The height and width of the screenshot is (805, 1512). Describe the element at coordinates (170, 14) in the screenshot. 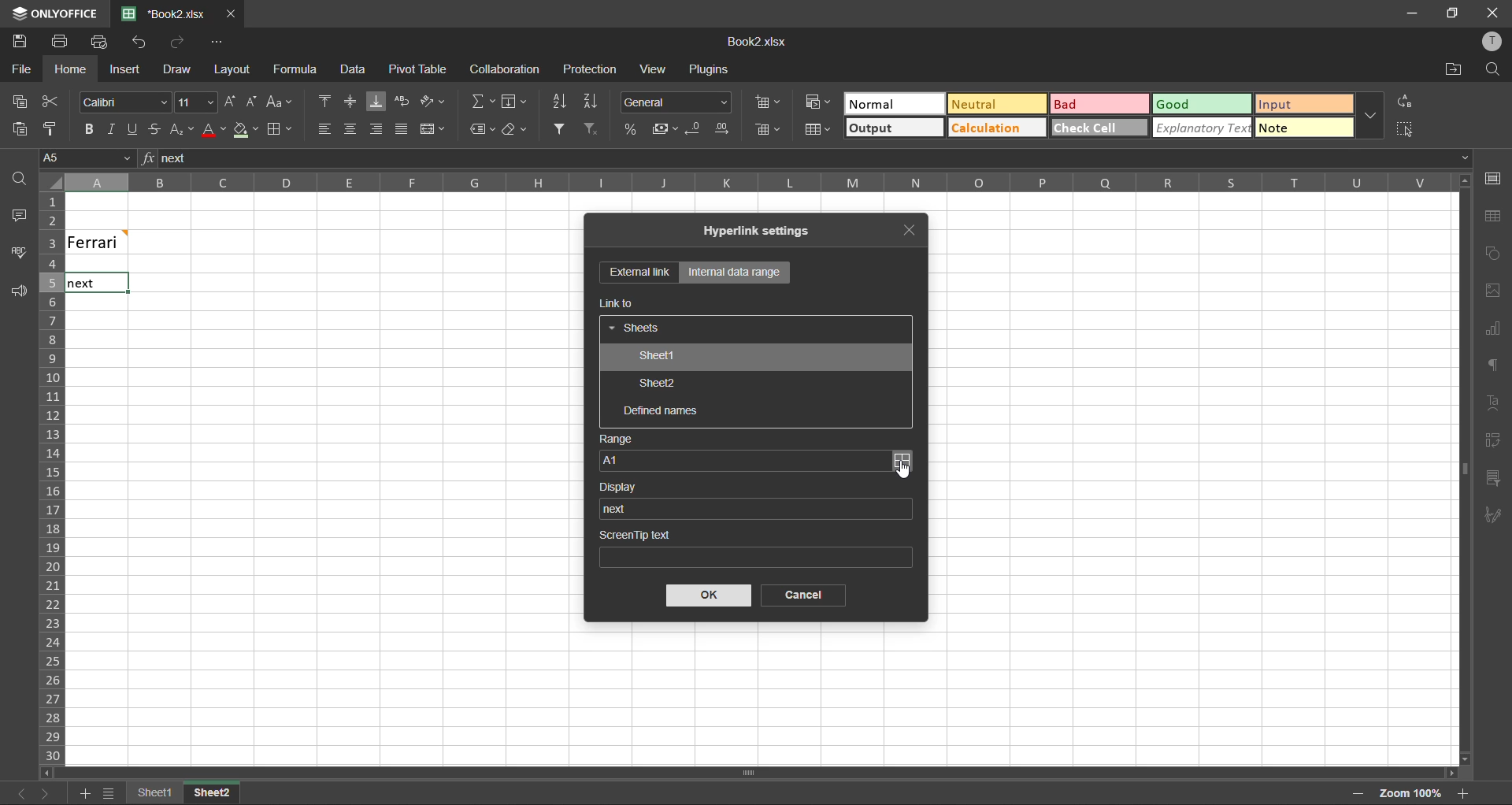

I see `file name` at that location.